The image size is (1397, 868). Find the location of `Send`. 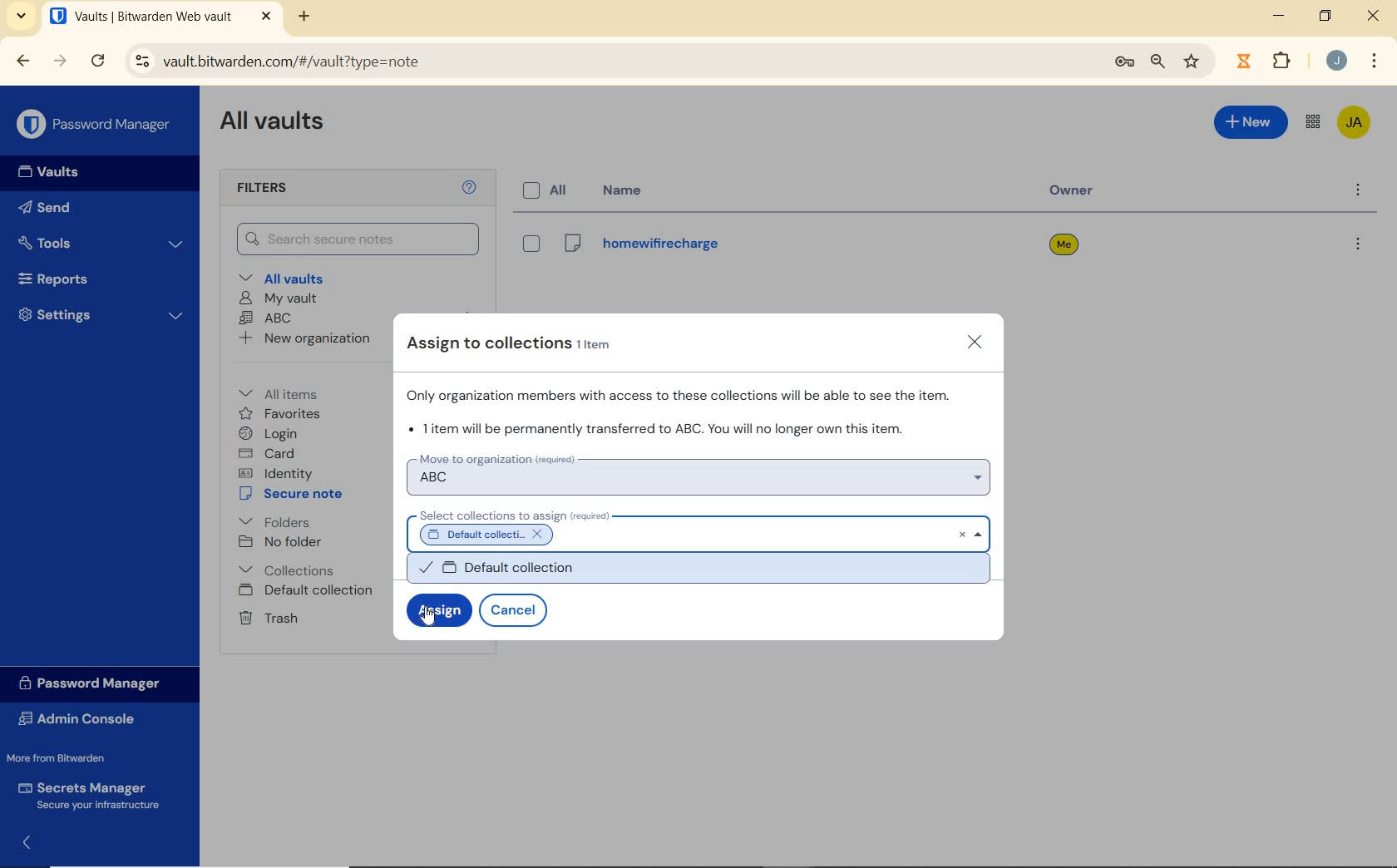

Send is located at coordinates (50, 206).